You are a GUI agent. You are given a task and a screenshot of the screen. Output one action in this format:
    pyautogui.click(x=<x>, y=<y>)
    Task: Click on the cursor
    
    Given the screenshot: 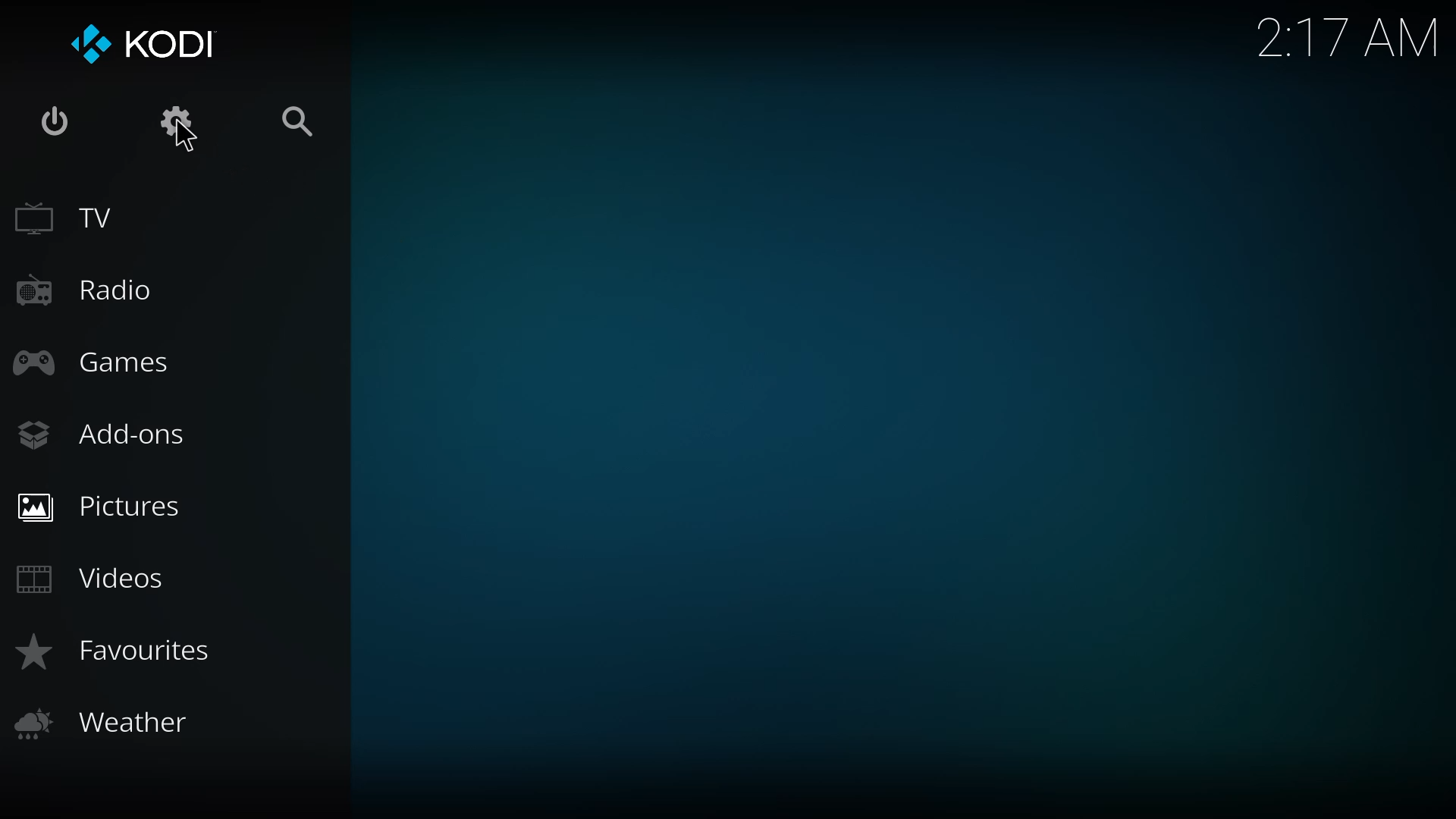 What is the action you would take?
    pyautogui.click(x=187, y=136)
    